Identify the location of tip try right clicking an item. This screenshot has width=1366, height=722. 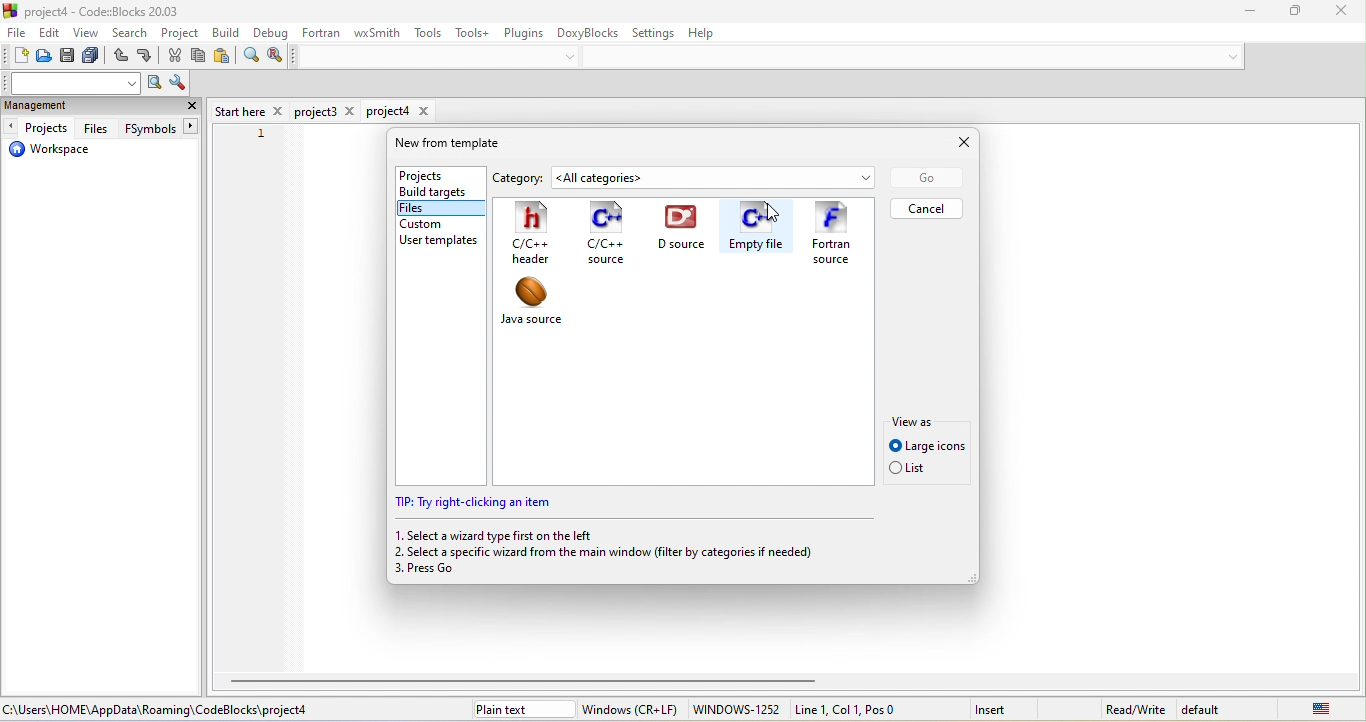
(479, 504).